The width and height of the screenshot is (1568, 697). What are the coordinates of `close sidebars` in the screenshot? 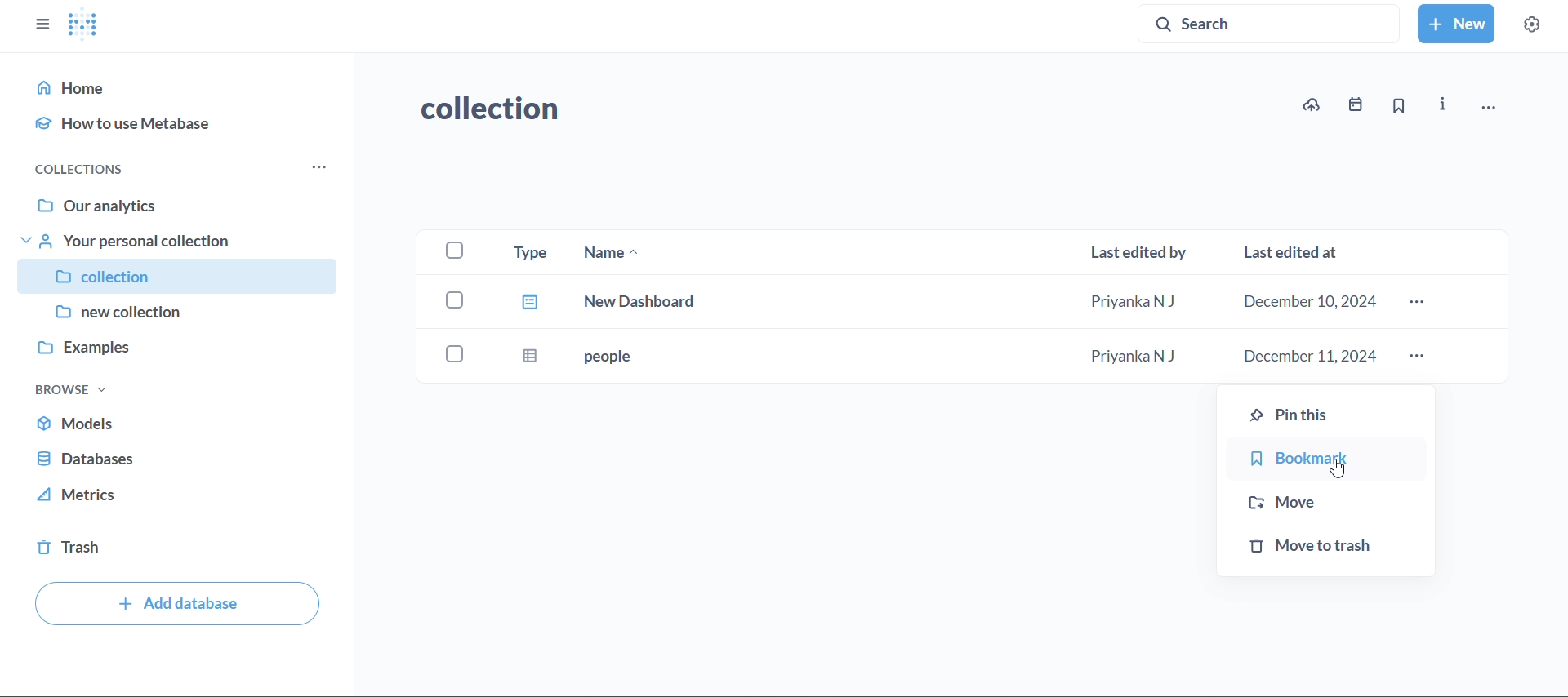 It's located at (42, 23).